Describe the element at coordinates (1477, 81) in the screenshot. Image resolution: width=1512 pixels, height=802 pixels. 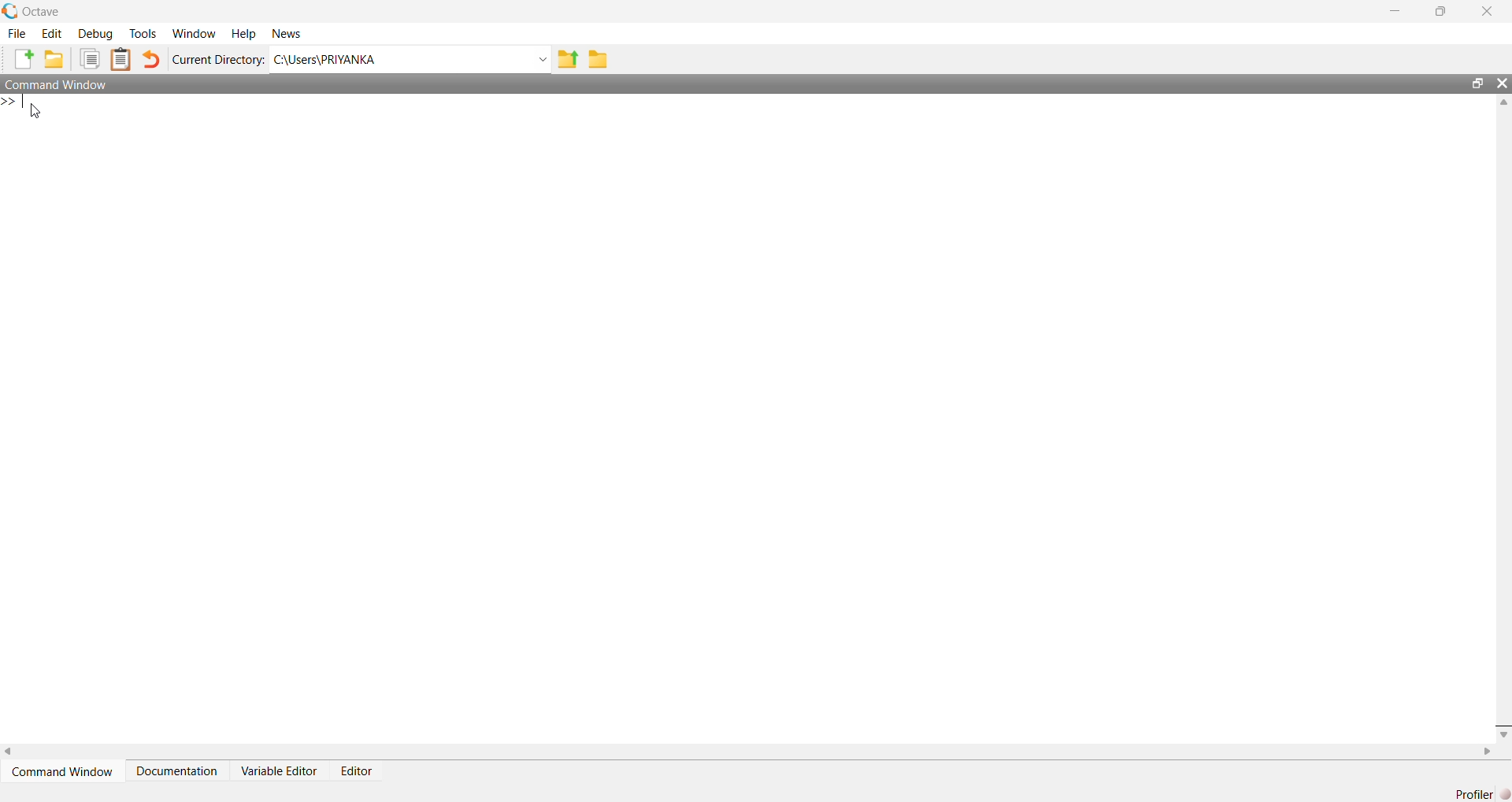
I see `open in separate window` at that location.